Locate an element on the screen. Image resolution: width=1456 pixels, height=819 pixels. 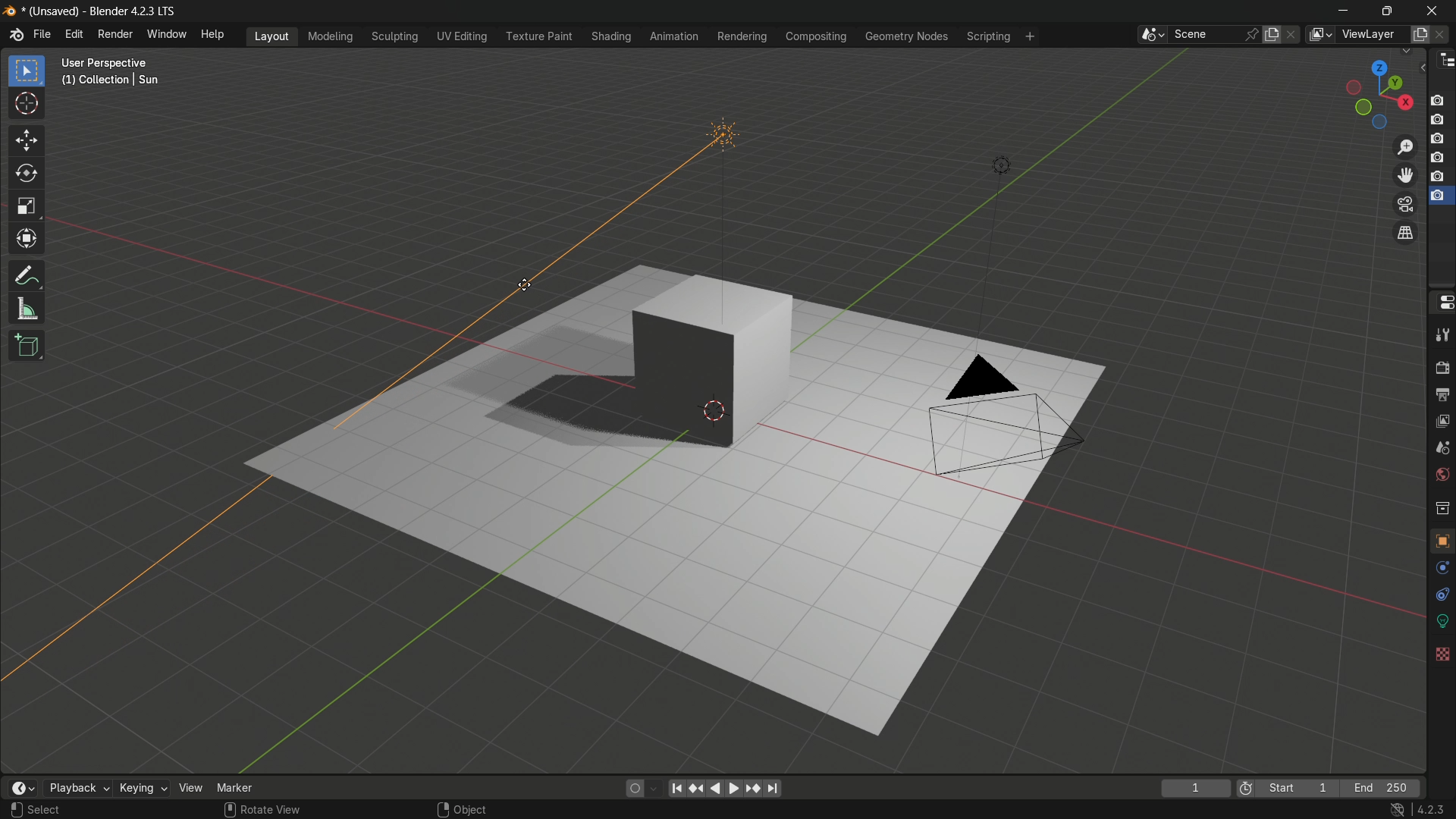
icon is located at coordinates (1244, 786).